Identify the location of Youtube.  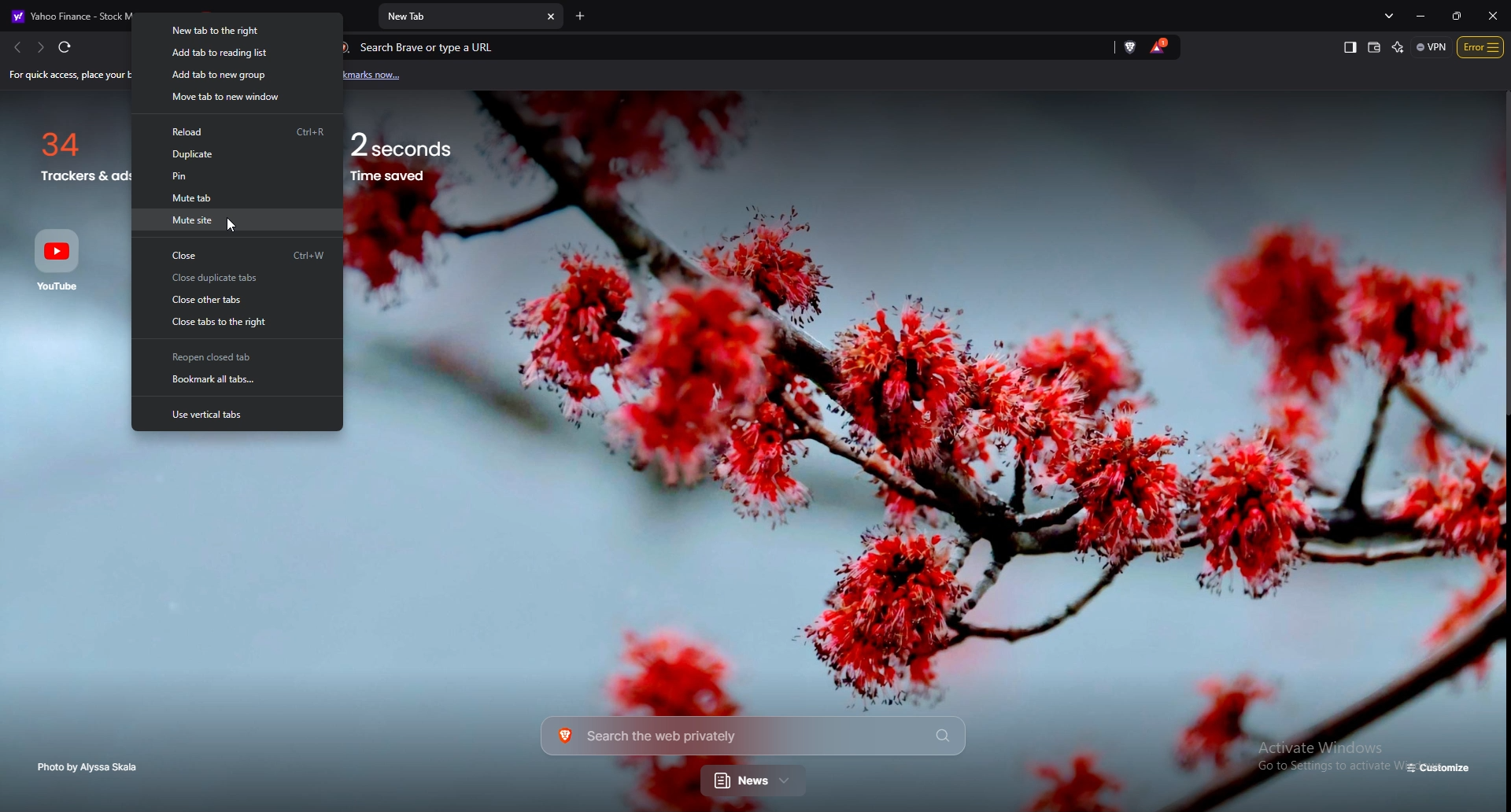
(62, 259).